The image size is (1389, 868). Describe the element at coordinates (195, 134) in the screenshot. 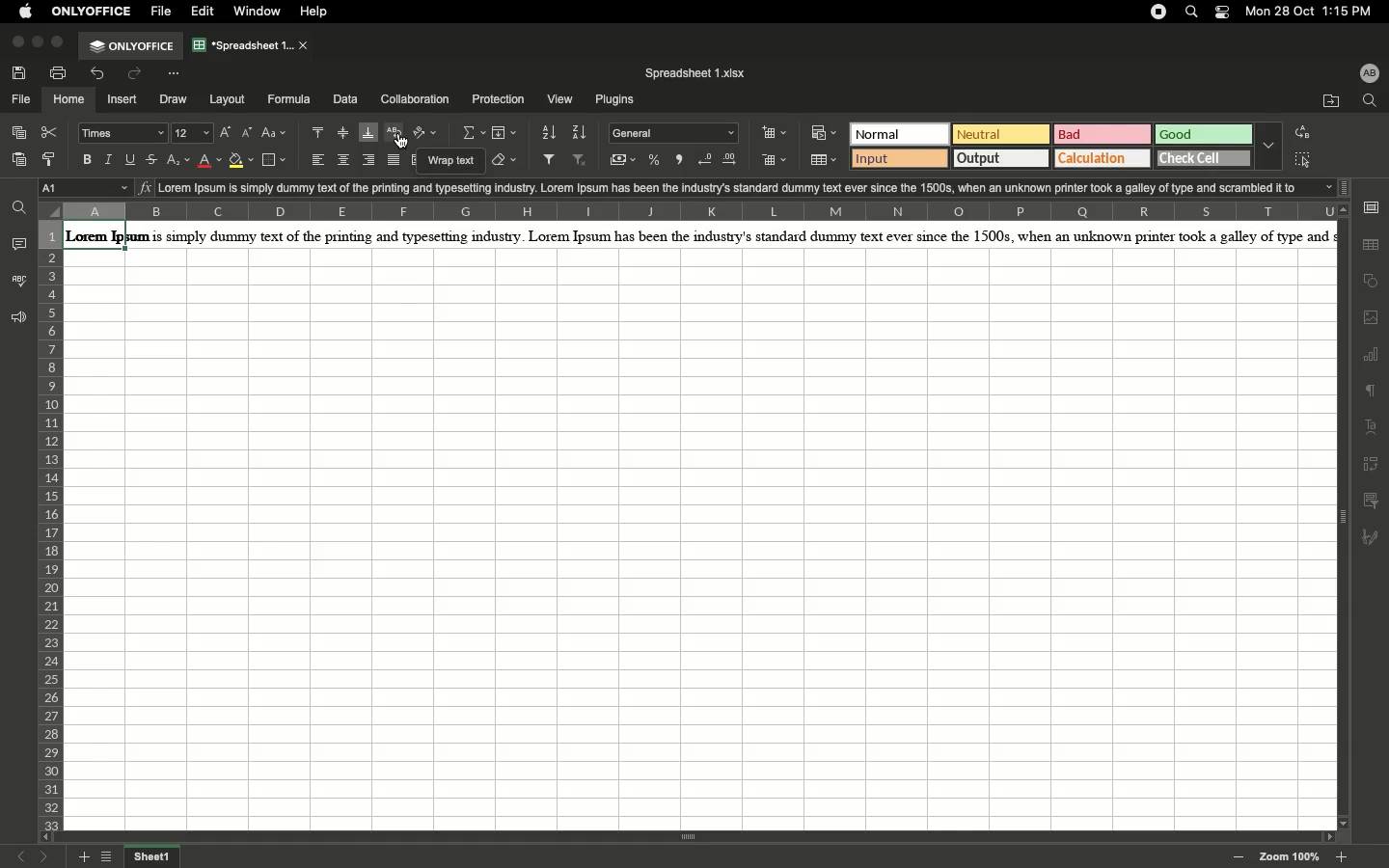

I see `Font size` at that location.